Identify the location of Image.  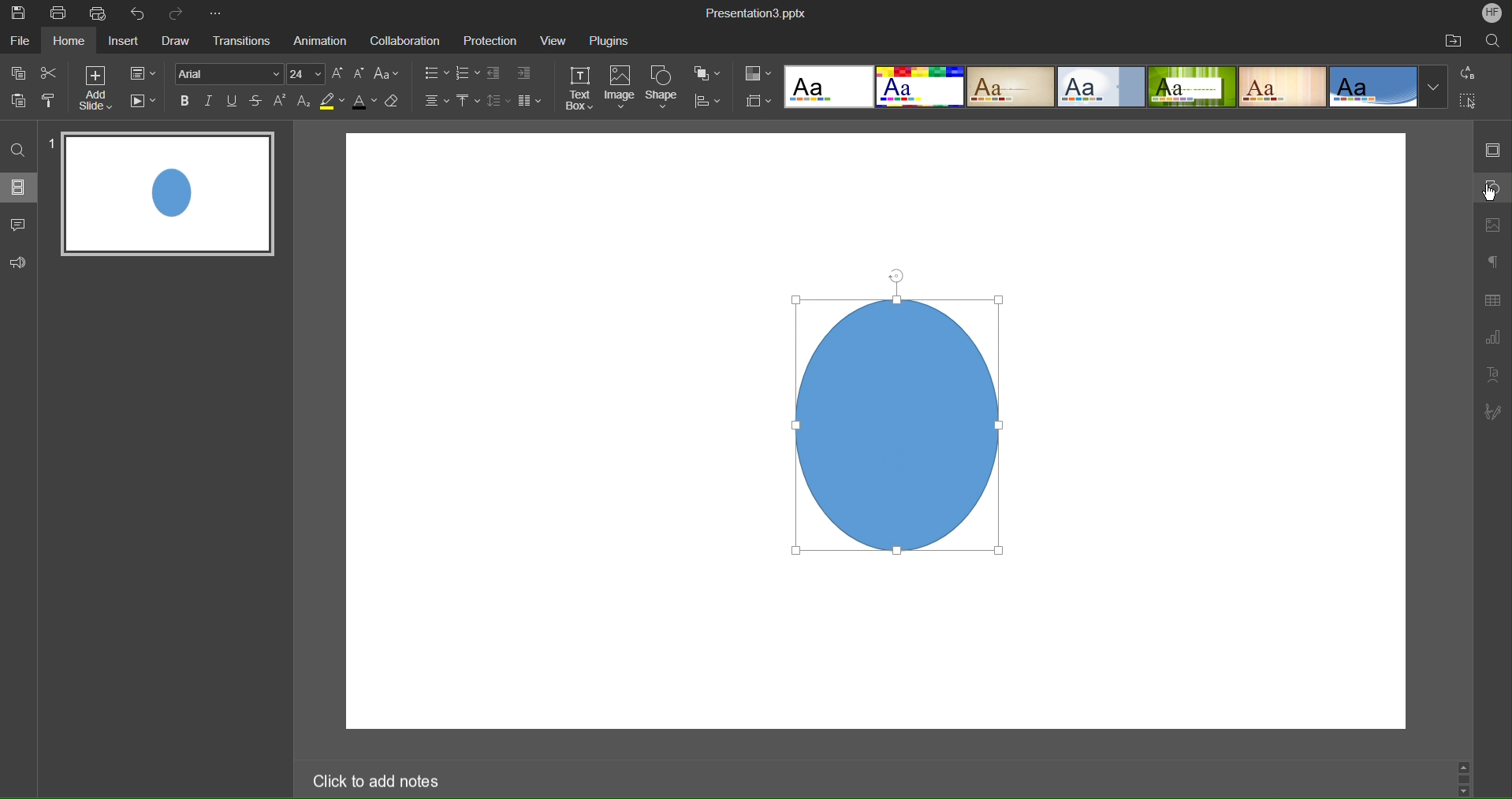
(623, 88).